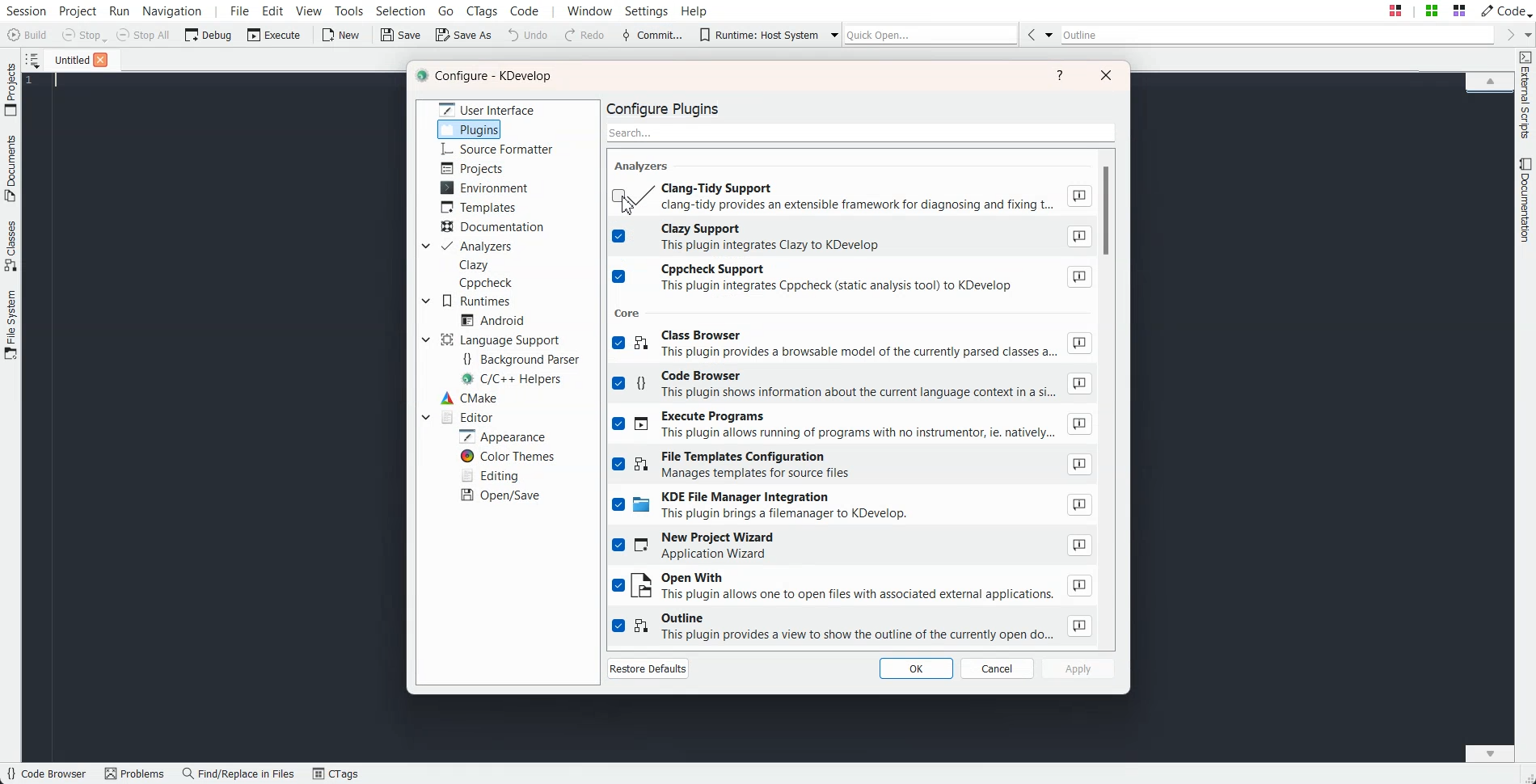 The width and height of the screenshot is (1536, 784). Describe the element at coordinates (1526, 776) in the screenshot. I see `Slide Shifter` at that location.